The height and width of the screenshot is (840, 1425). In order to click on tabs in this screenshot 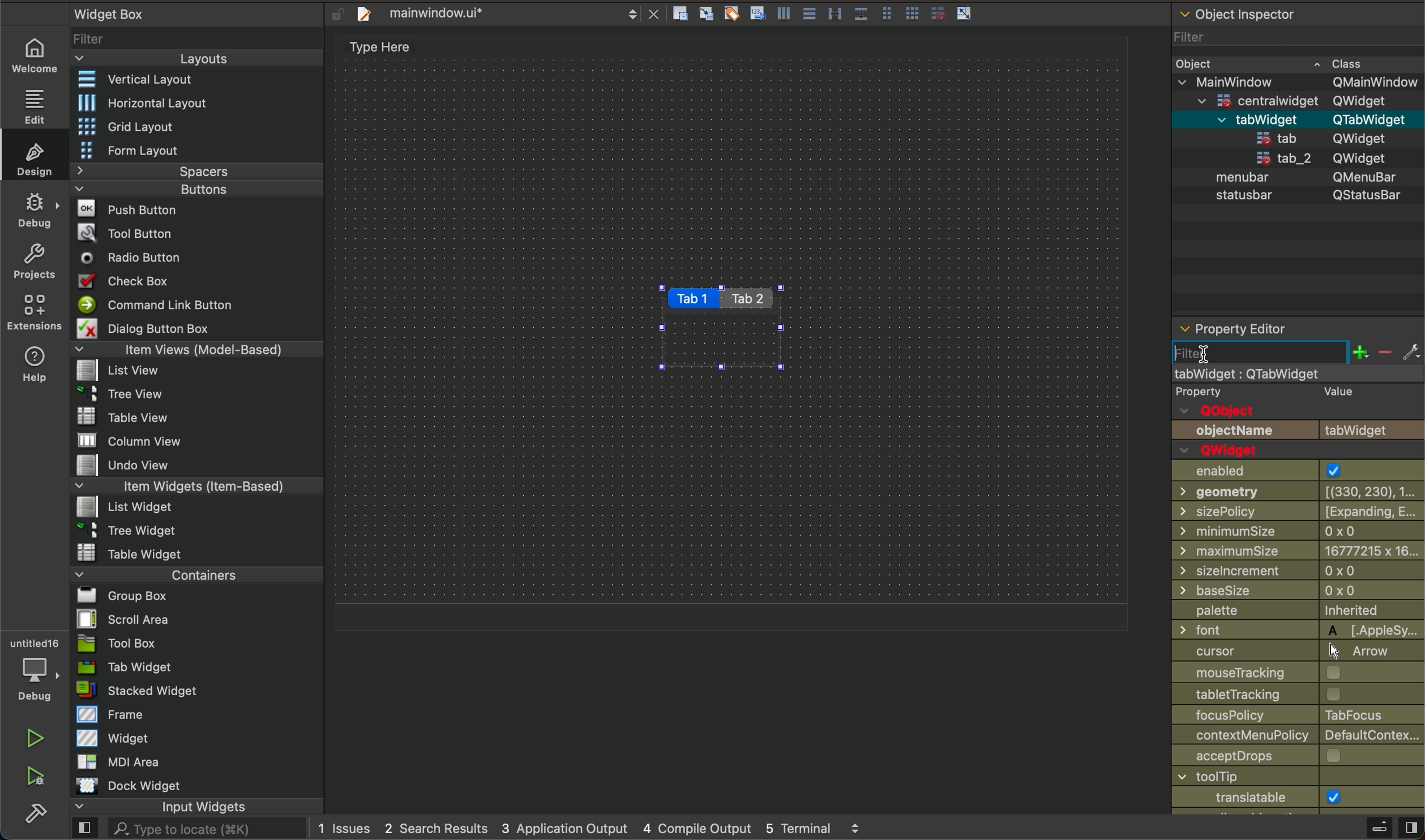, I will do `click(724, 327)`.